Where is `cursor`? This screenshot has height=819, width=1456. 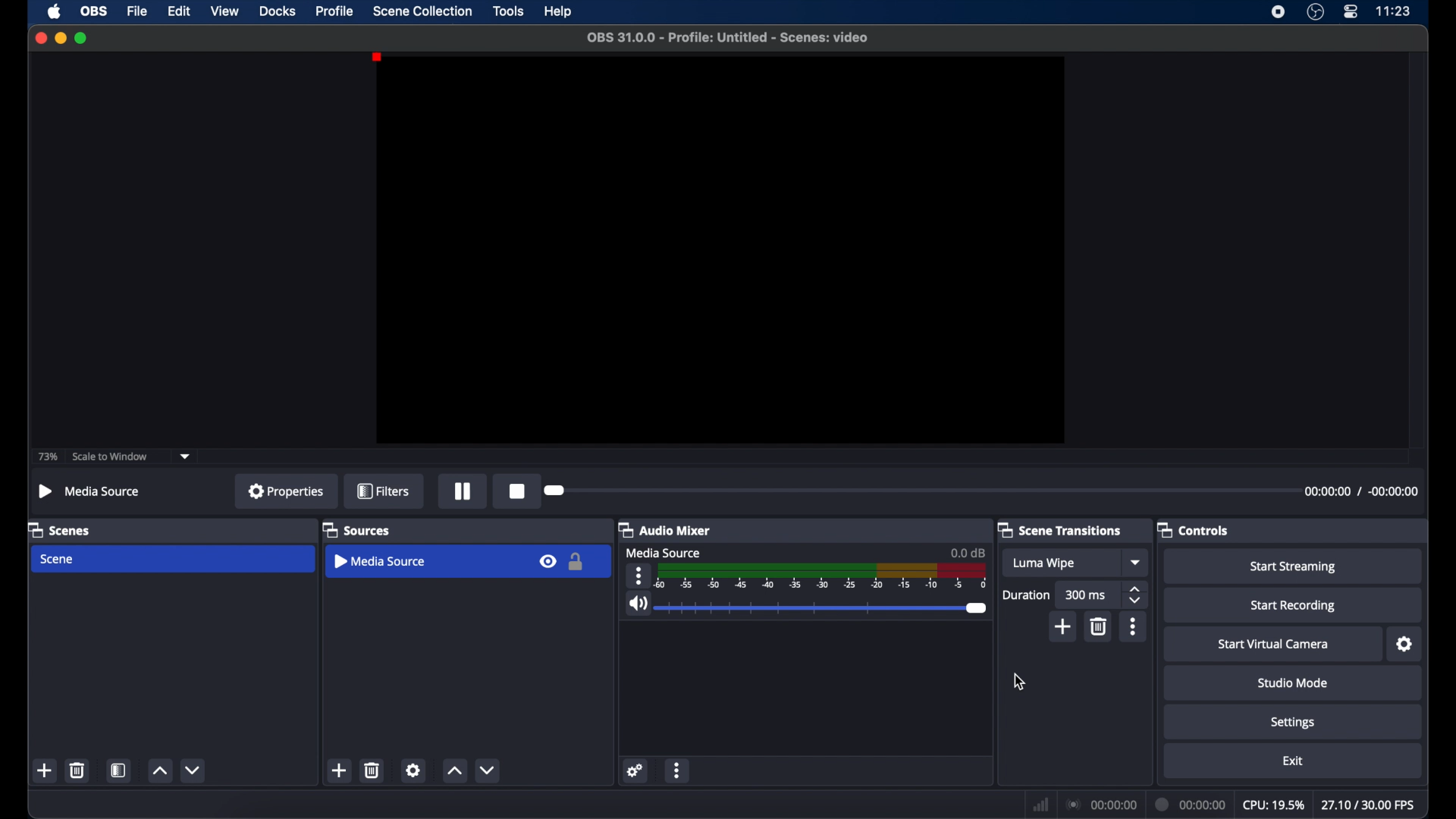 cursor is located at coordinates (1020, 682).